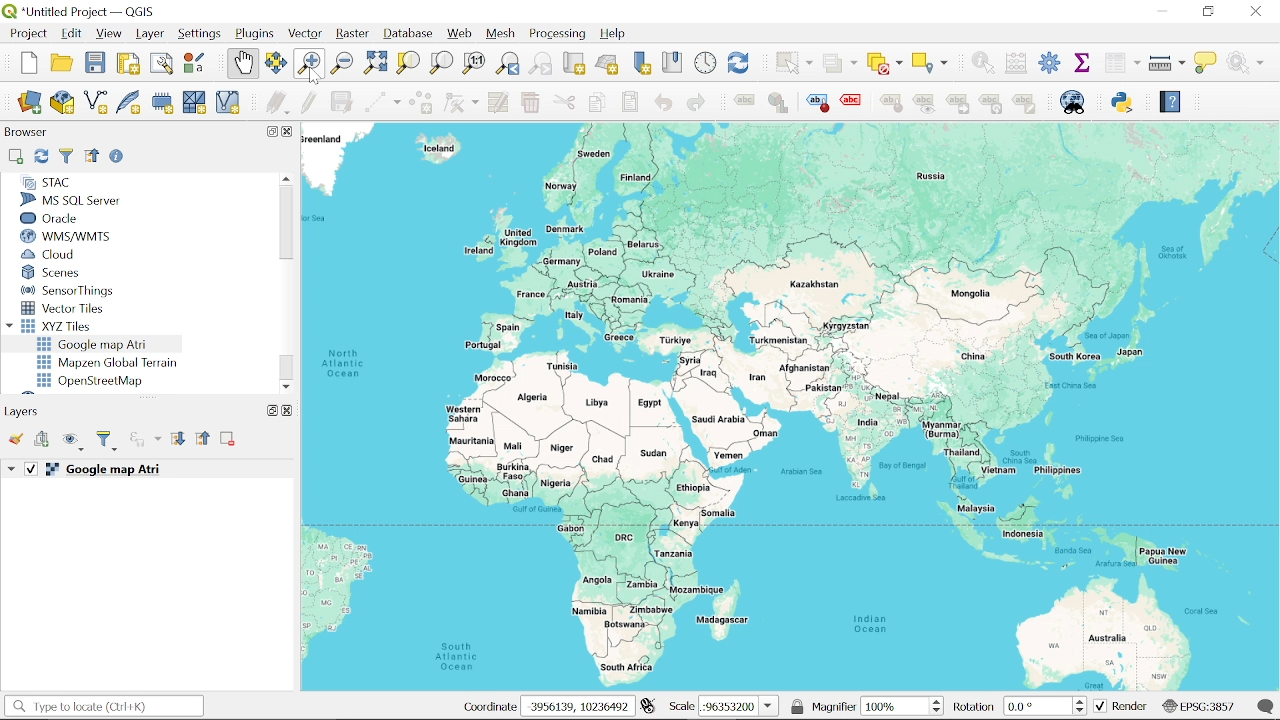 The image size is (1280, 720). Describe the element at coordinates (791, 404) in the screenshot. I see `Map` at that location.